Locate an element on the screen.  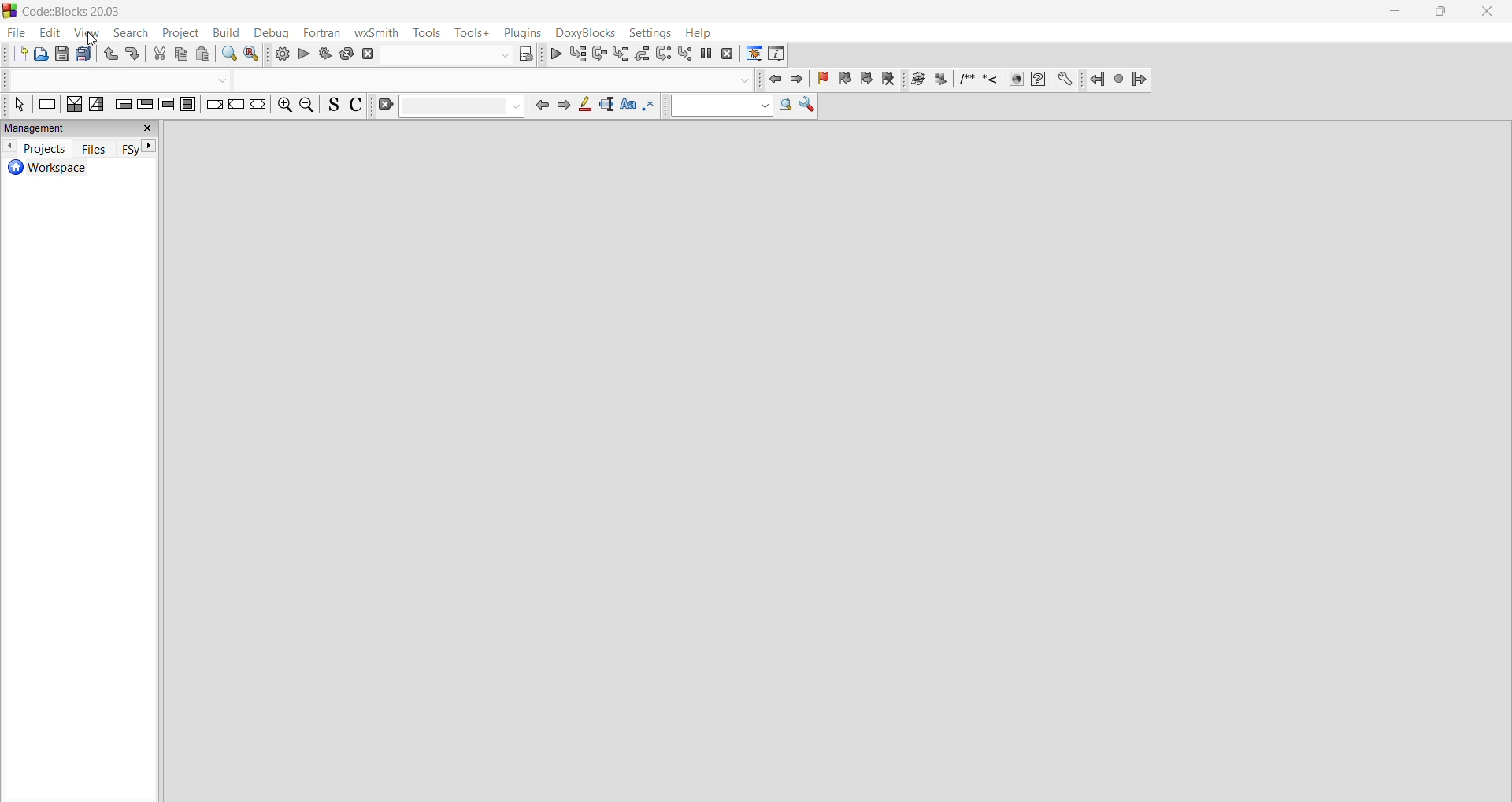
files is located at coordinates (92, 149).